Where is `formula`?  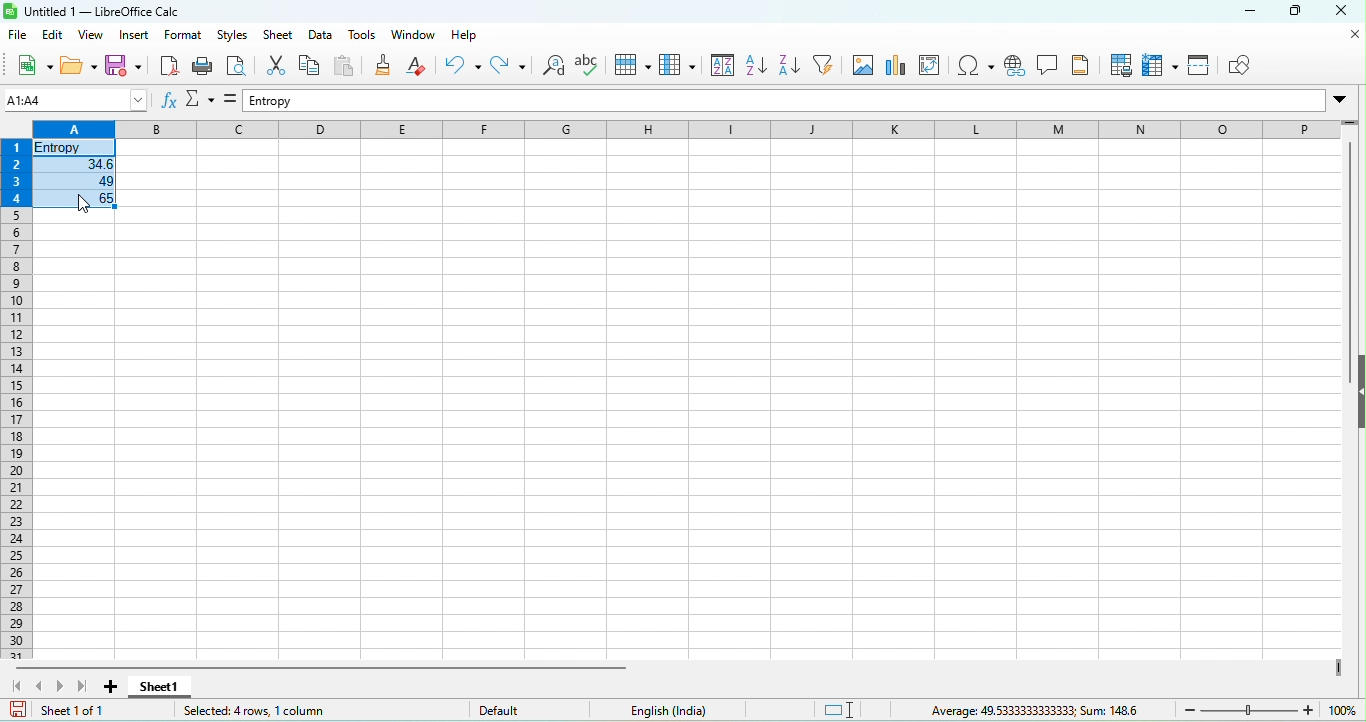 formula is located at coordinates (233, 100).